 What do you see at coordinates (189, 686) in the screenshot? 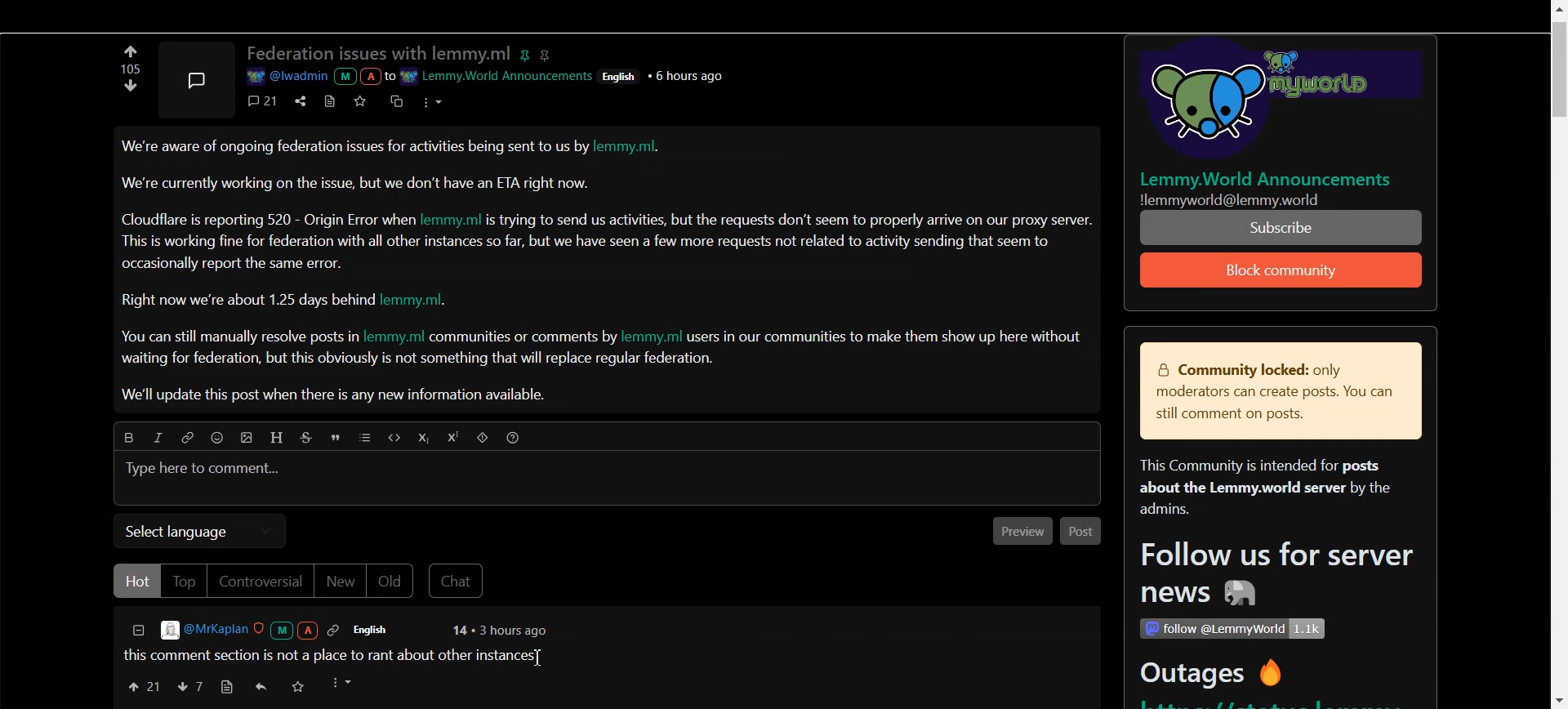
I see `Downvote` at bounding box center [189, 686].